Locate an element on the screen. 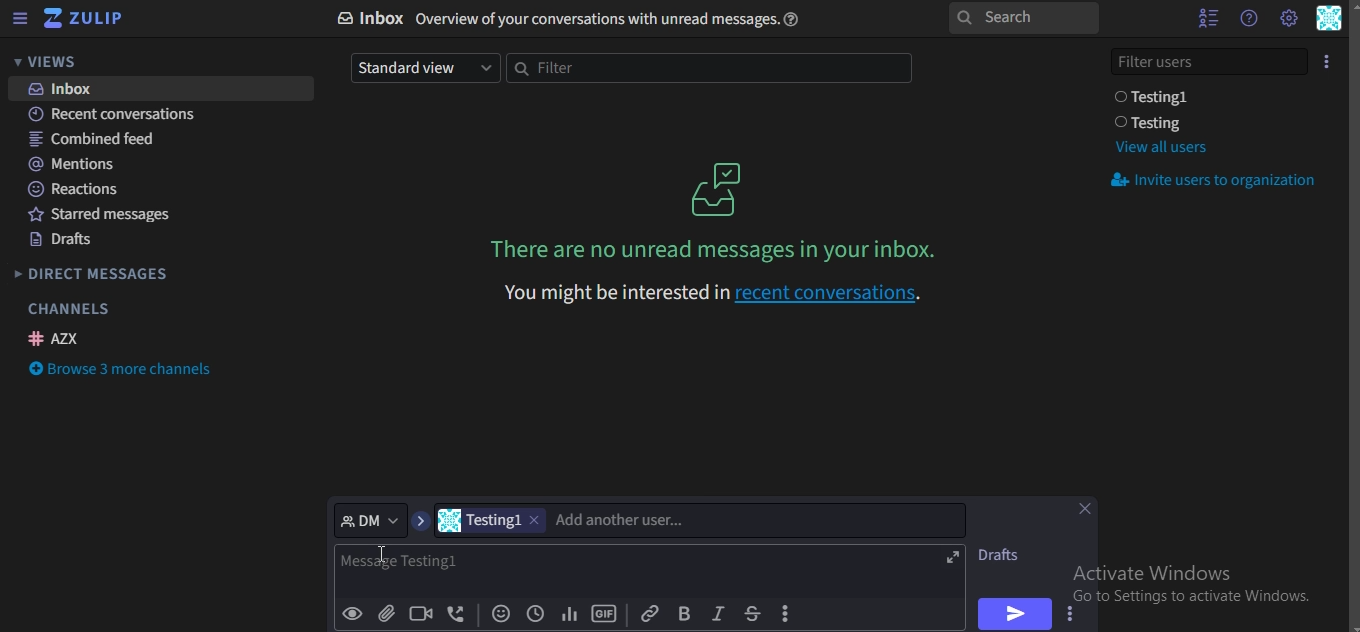 This screenshot has height=632, width=1360. strikethrough is located at coordinates (751, 613).